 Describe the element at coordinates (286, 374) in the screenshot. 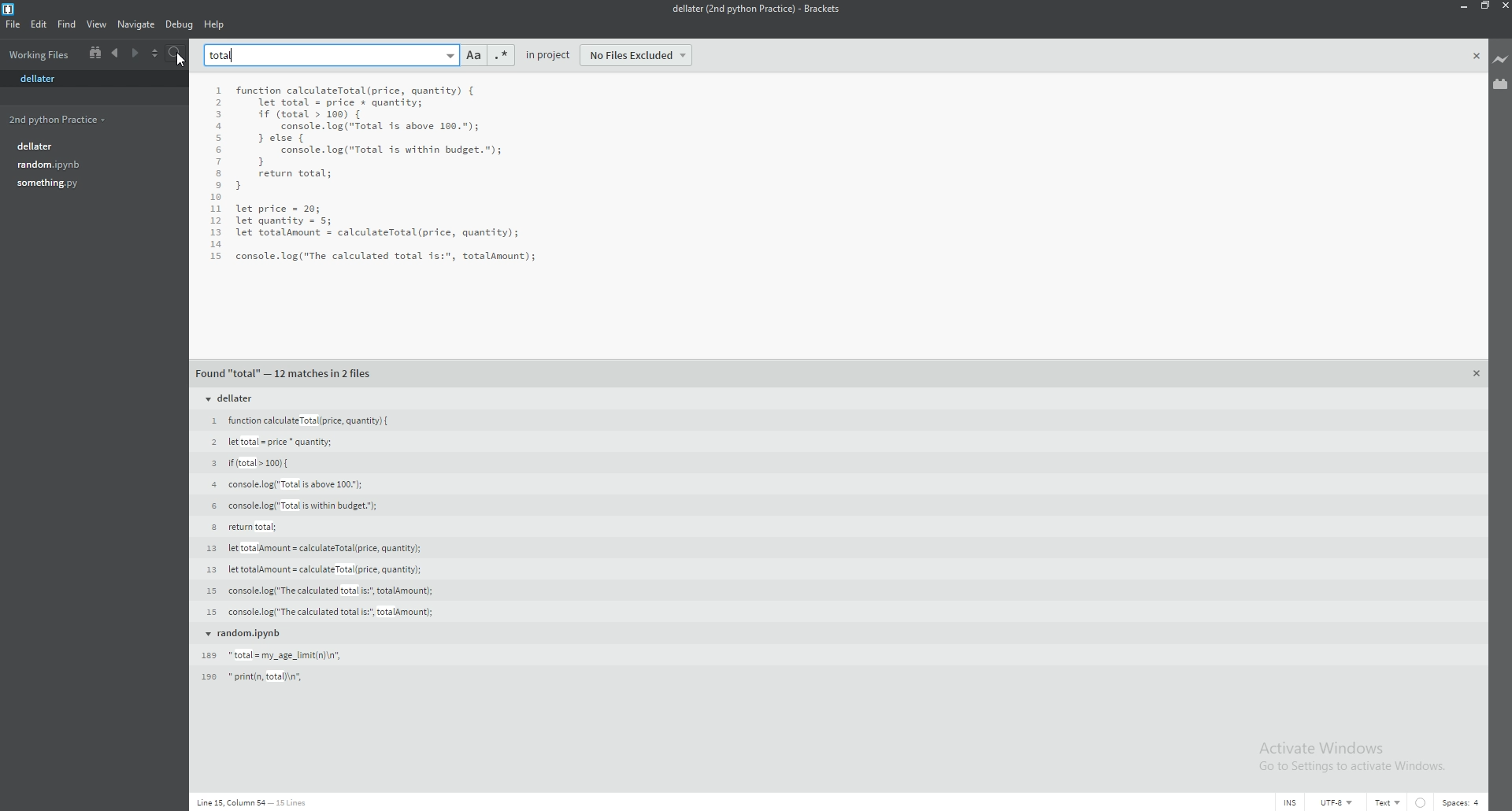

I see `found "total" - 12 matches in 2 files` at that location.